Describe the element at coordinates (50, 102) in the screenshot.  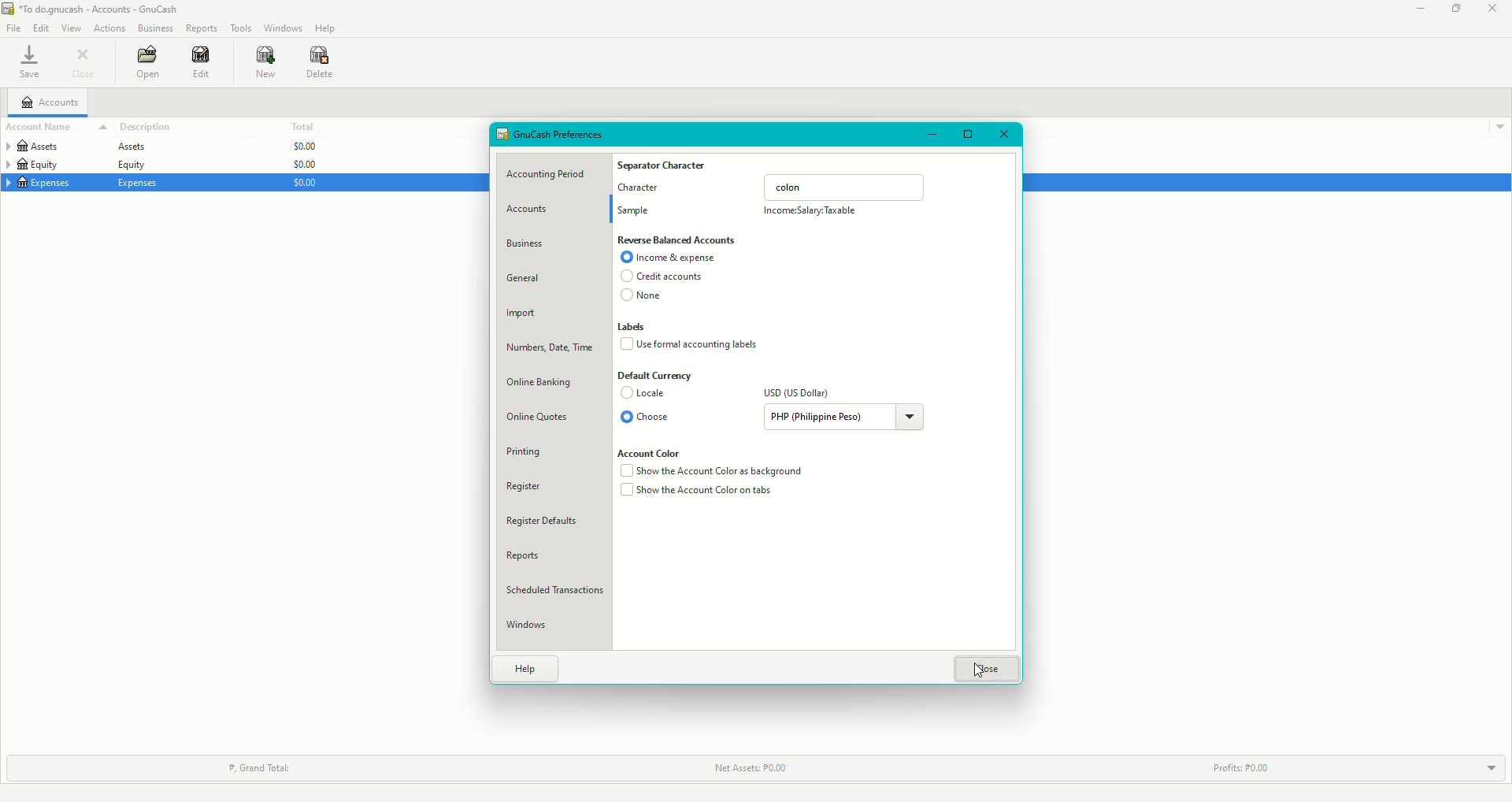
I see `Accounts` at that location.